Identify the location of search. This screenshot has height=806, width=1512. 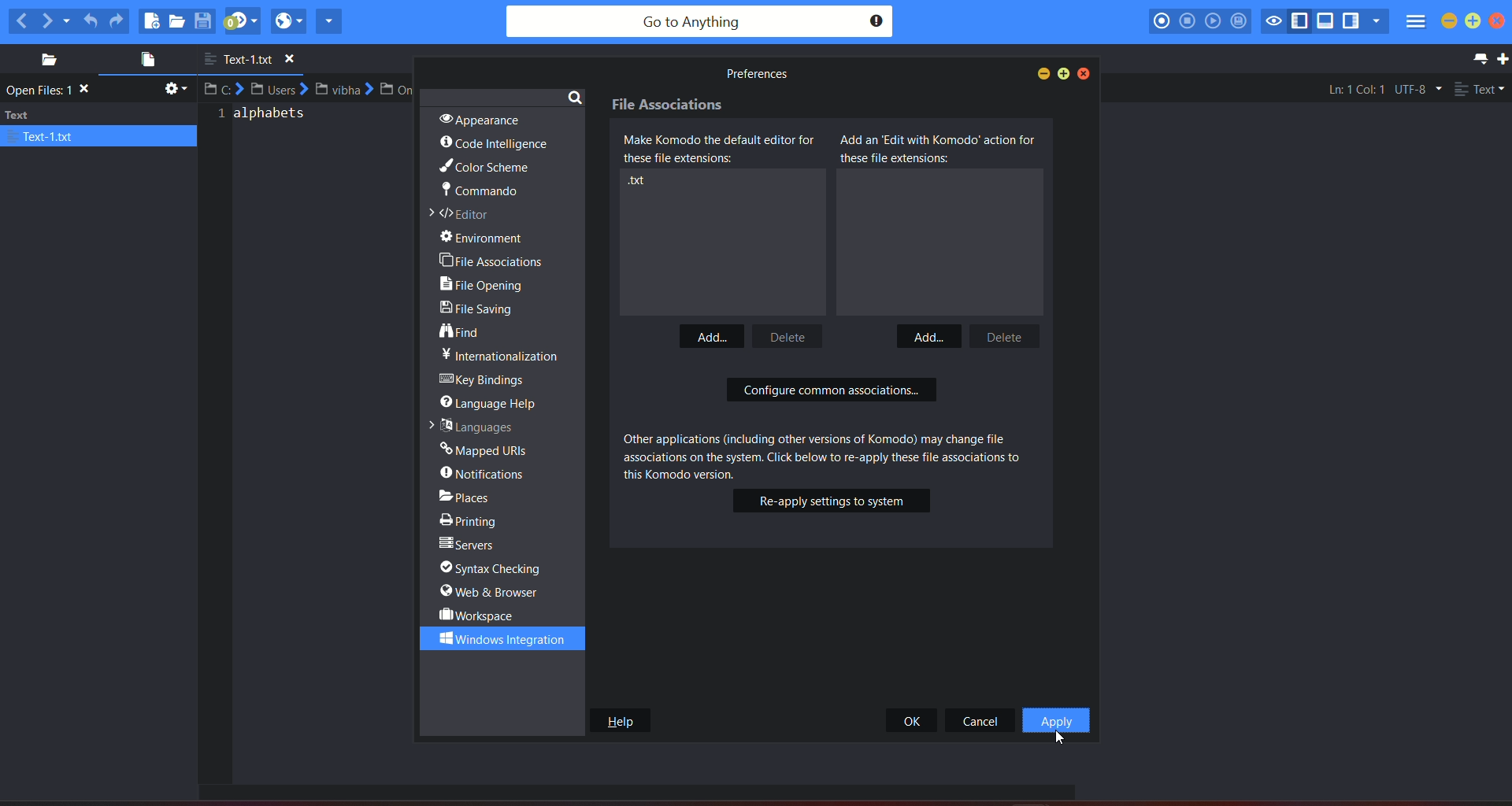
(575, 96).